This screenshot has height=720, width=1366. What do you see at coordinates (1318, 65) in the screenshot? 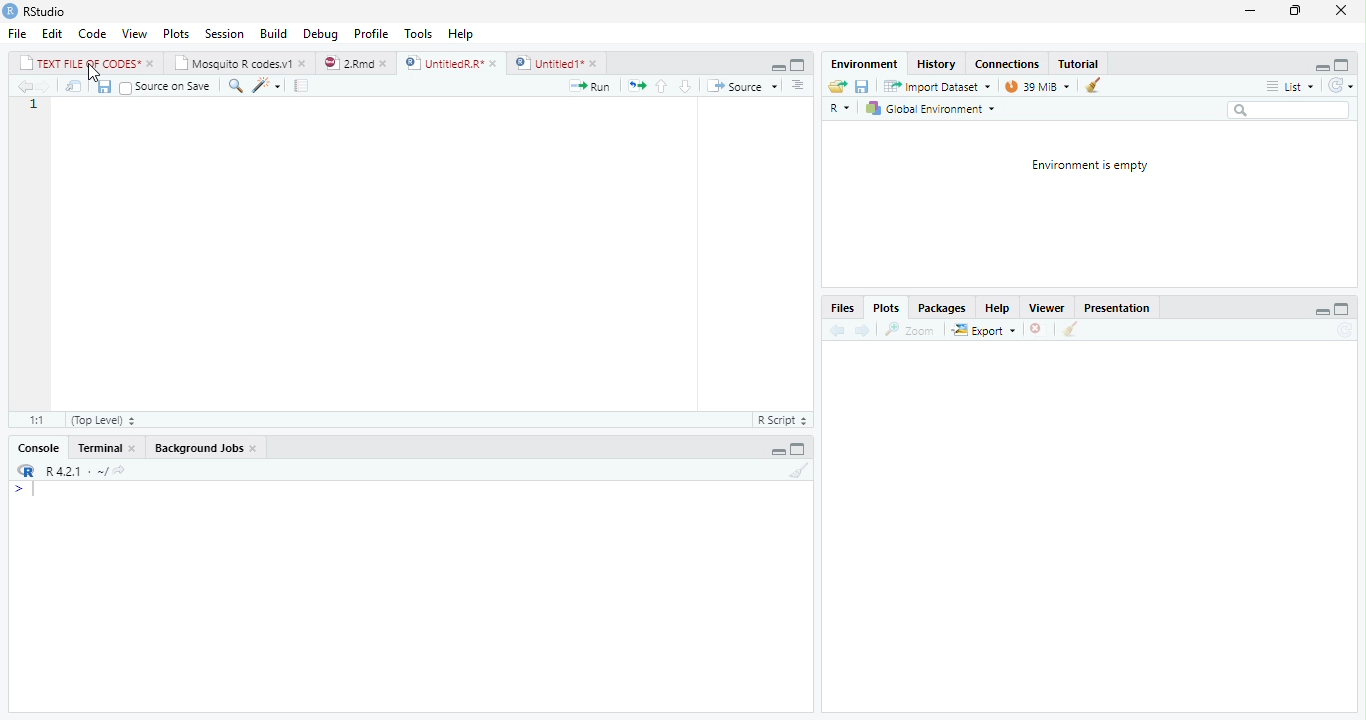
I see `Minimize` at bounding box center [1318, 65].